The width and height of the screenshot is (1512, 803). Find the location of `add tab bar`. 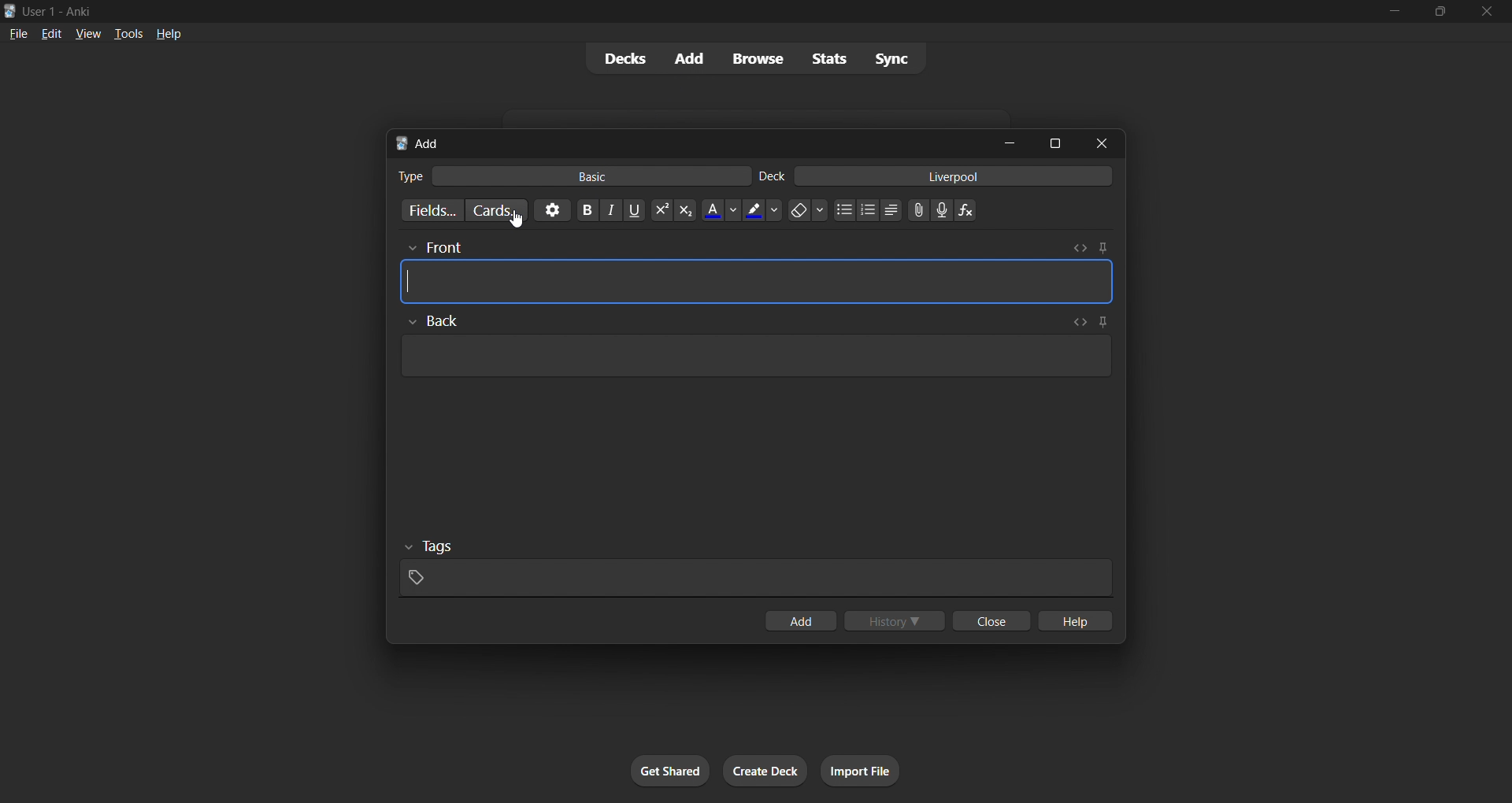

add tab bar is located at coordinates (674, 143).